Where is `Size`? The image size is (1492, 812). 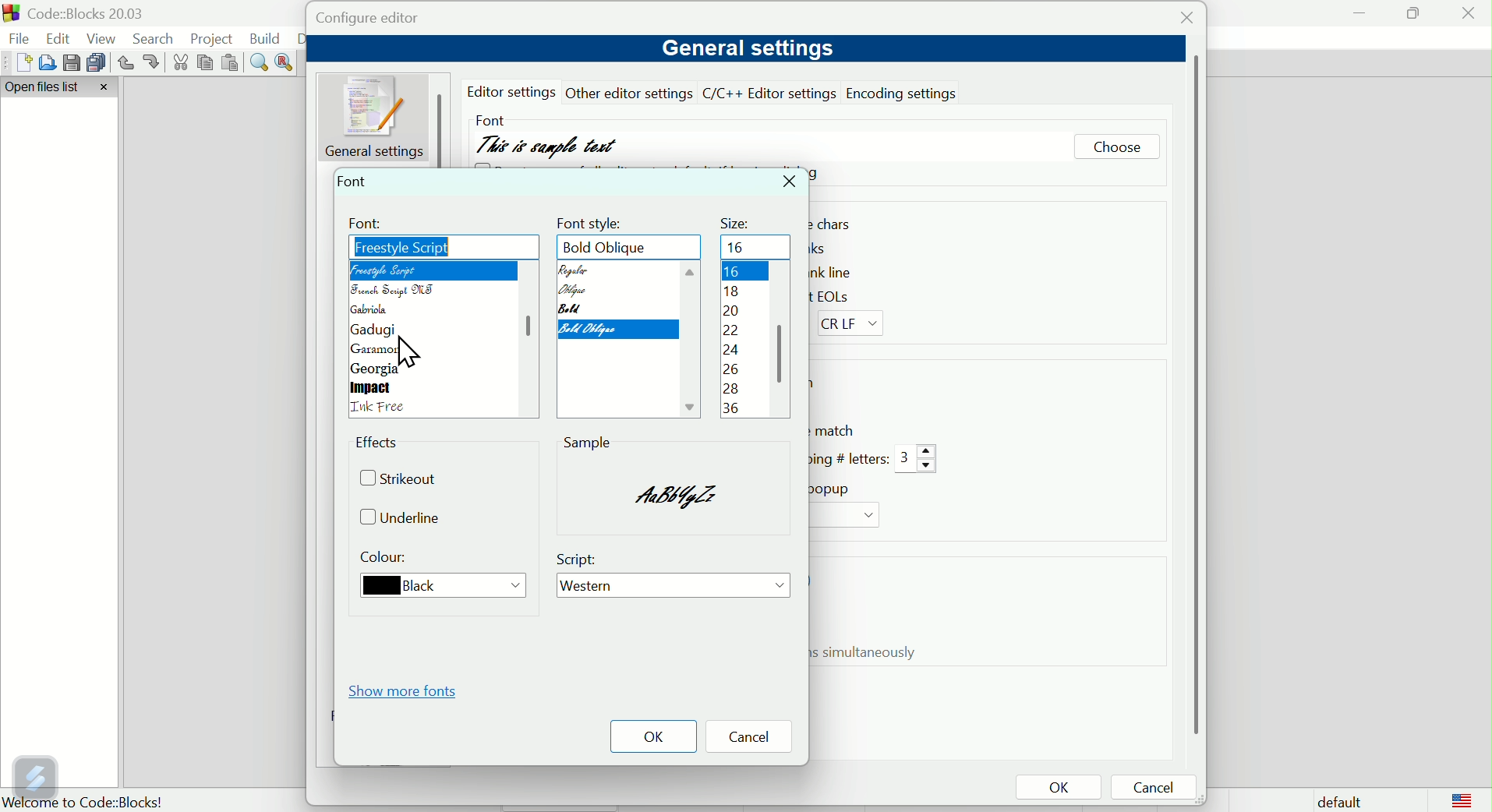
Size is located at coordinates (737, 219).